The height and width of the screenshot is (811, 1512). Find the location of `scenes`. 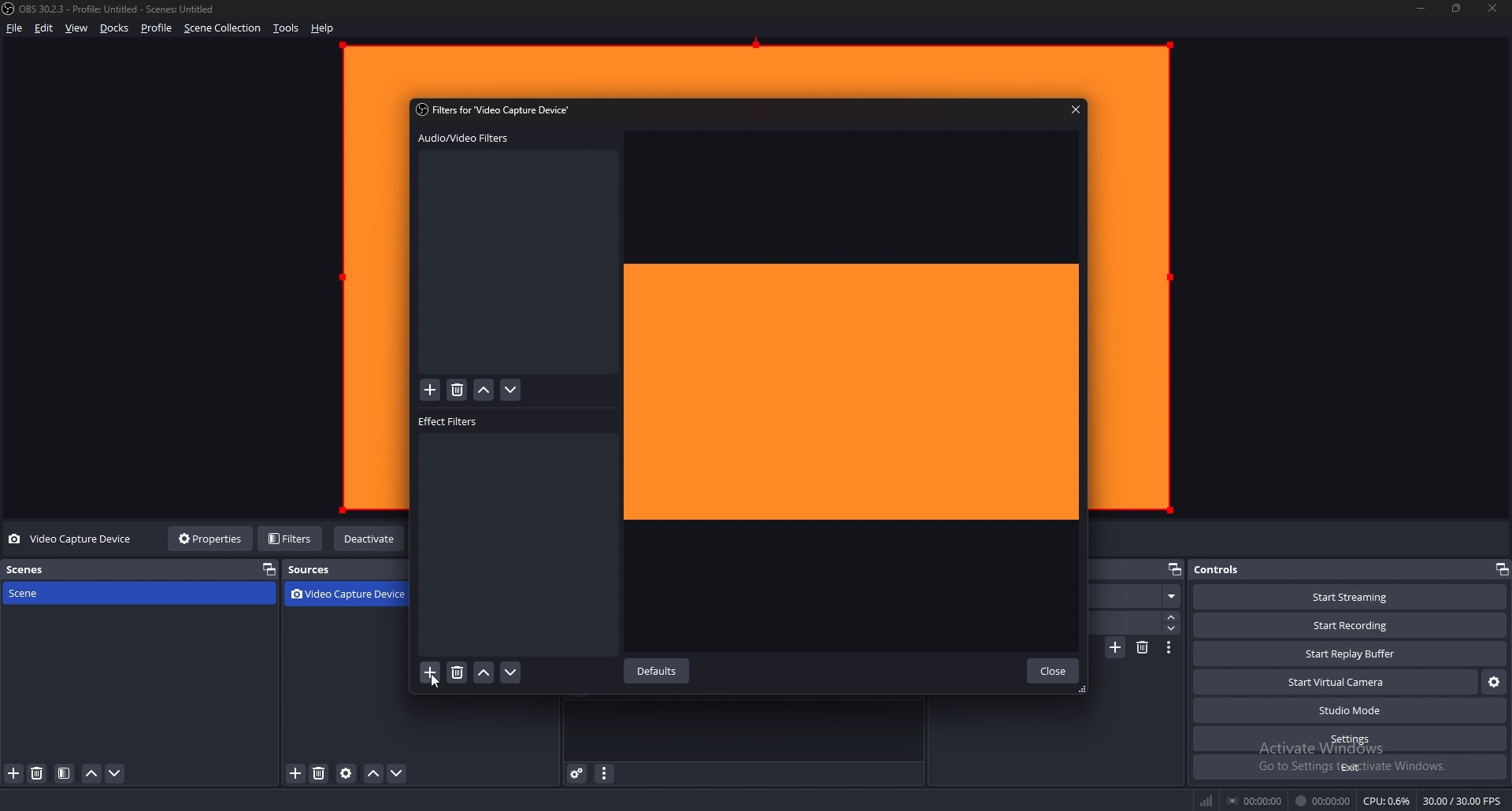

scenes is located at coordinates (78, 569).